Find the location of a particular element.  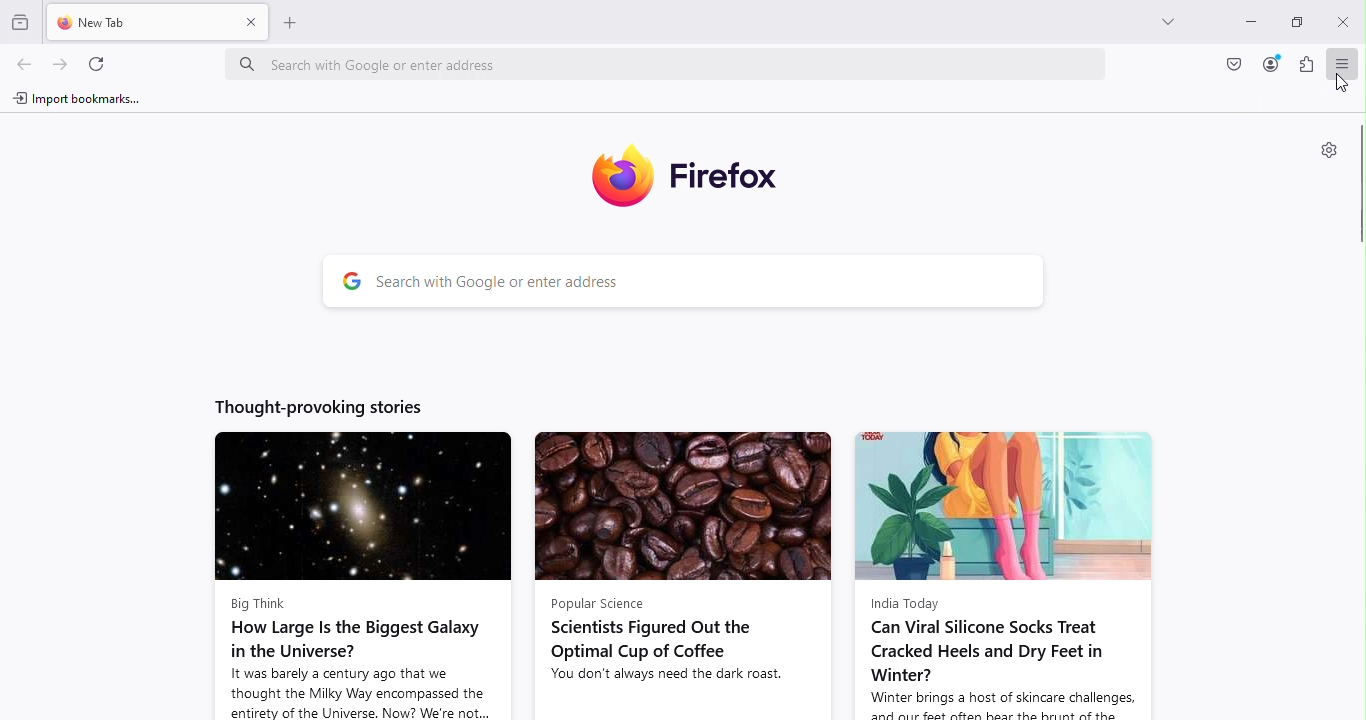

News article is located at coordinates (362, 574).